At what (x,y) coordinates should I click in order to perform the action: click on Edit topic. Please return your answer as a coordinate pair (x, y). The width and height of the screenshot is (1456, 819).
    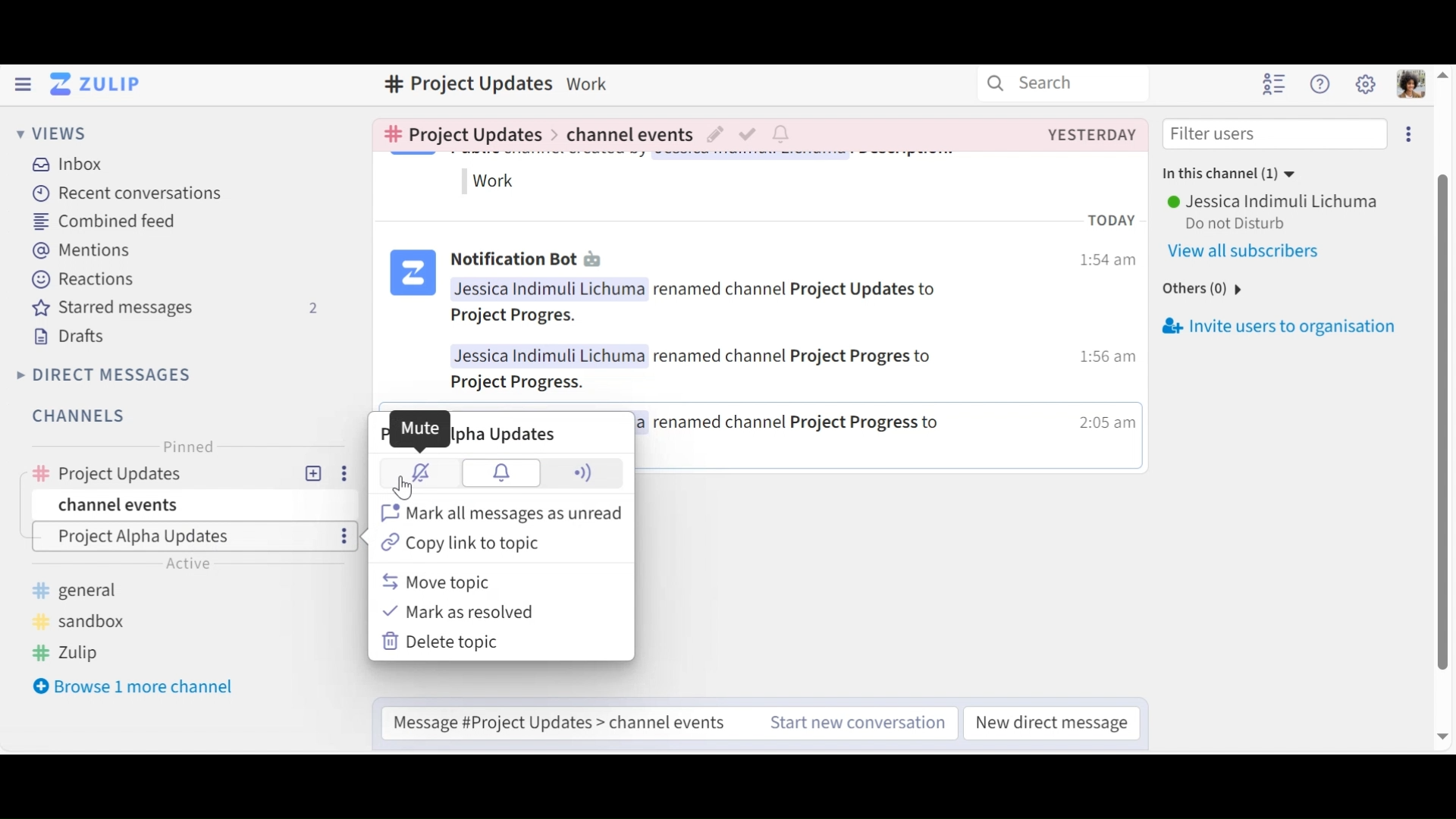
    Looking at the image, I should click on (717, 136).